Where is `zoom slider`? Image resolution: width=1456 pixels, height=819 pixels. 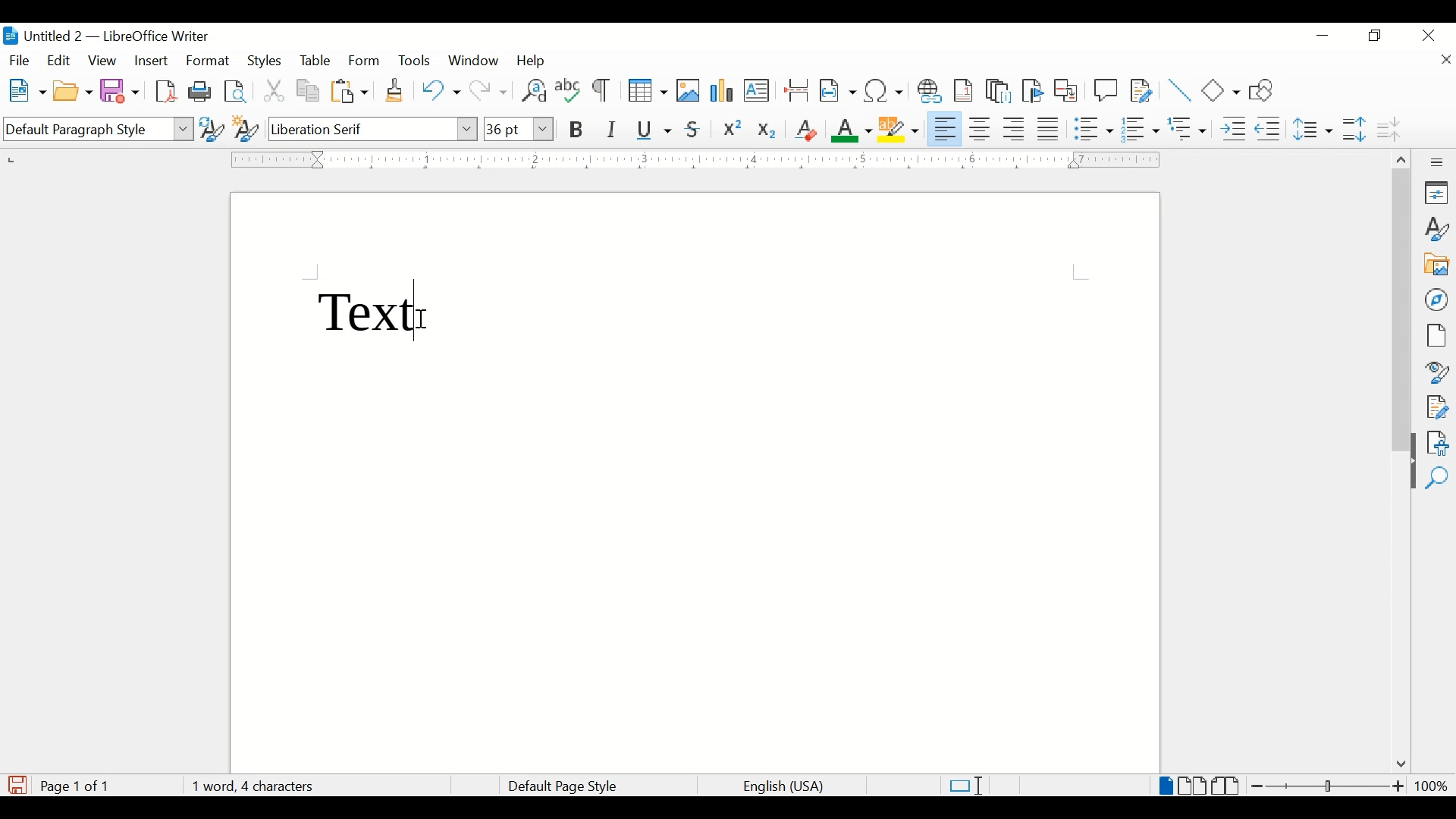
zoom slider is located at coordinates (1329, 786).